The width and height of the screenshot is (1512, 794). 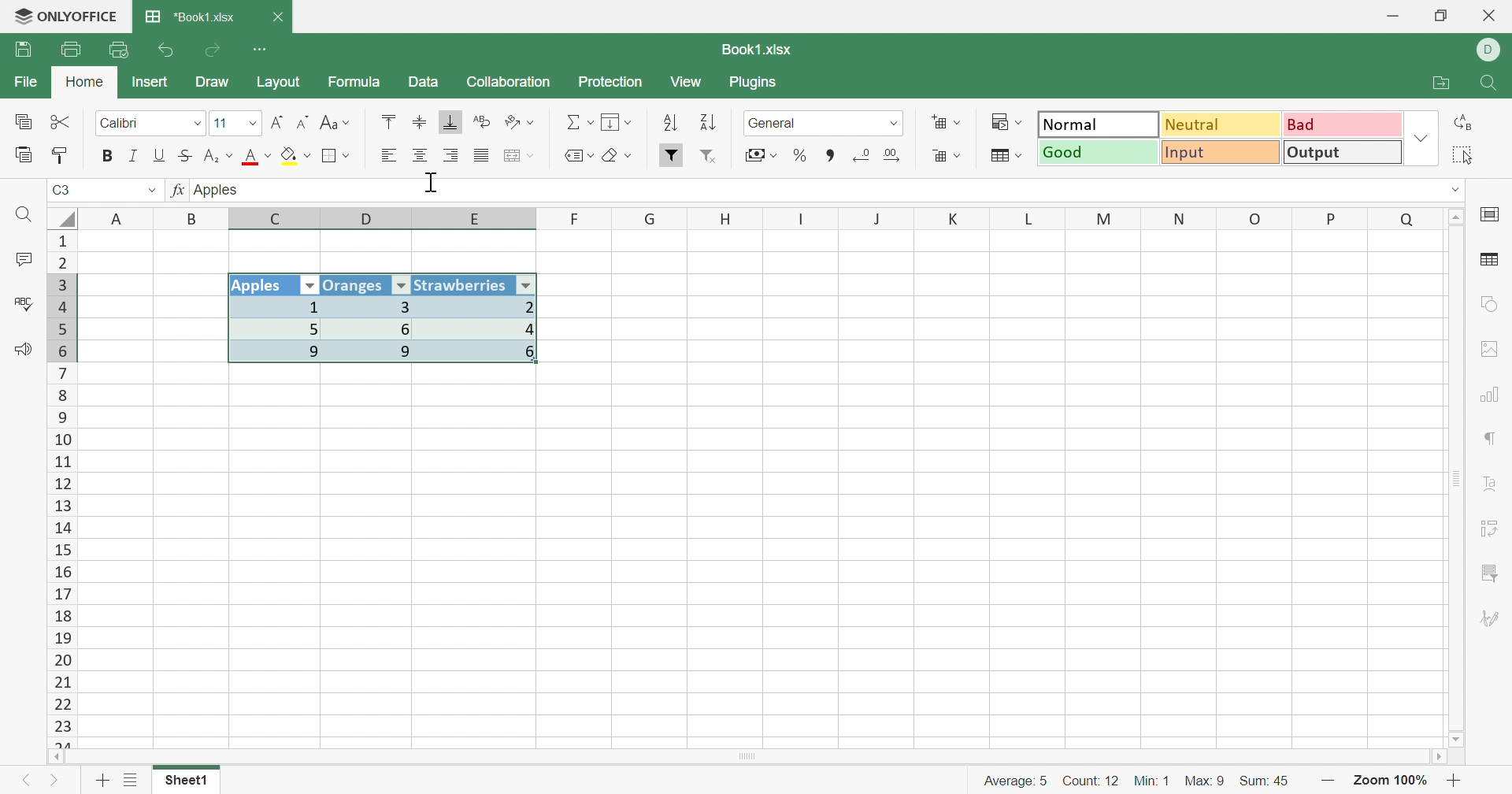 What do you see at coordinates (1495, 349) in the screenshot?
I see `Image settings` at bounding box center [1495, 349].